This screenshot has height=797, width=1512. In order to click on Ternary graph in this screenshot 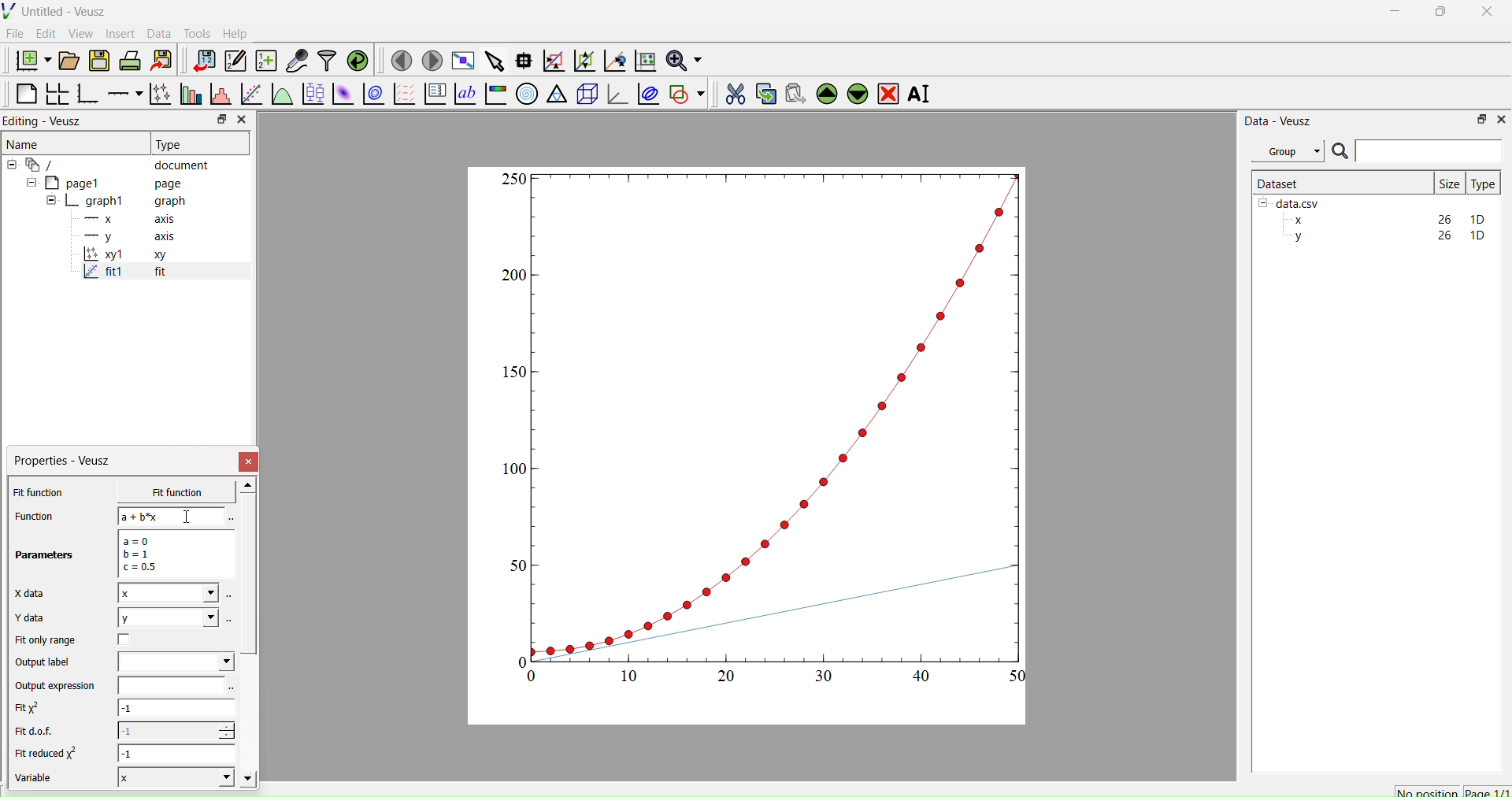, I will do `click(558, 93)`.